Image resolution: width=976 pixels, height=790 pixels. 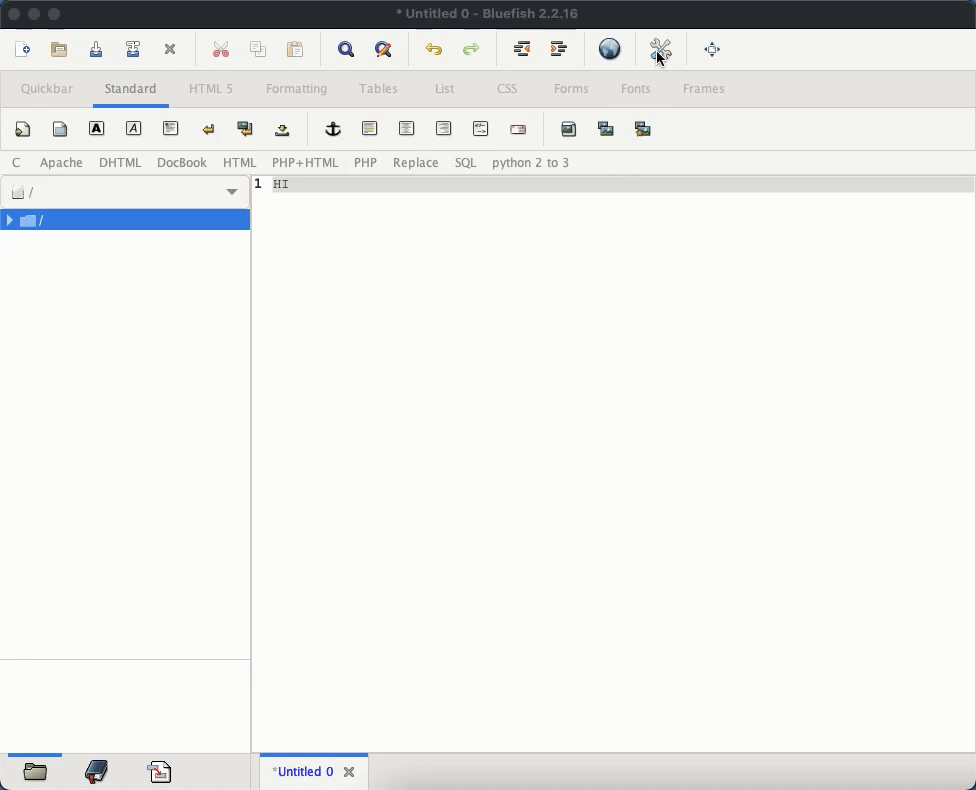 I want to click on html, so click(x=240, y=162).